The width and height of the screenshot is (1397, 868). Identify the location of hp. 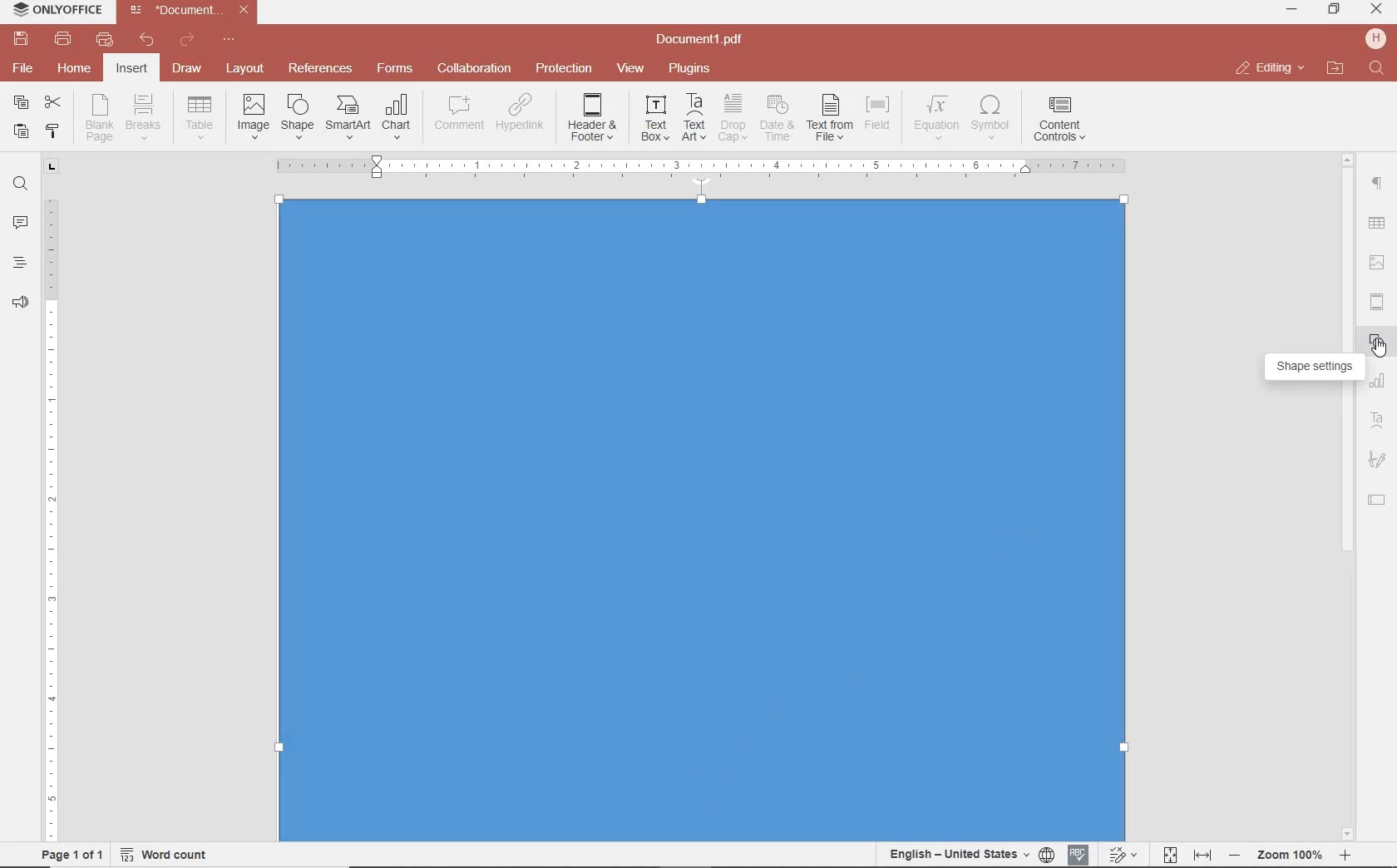
(1379, 38).